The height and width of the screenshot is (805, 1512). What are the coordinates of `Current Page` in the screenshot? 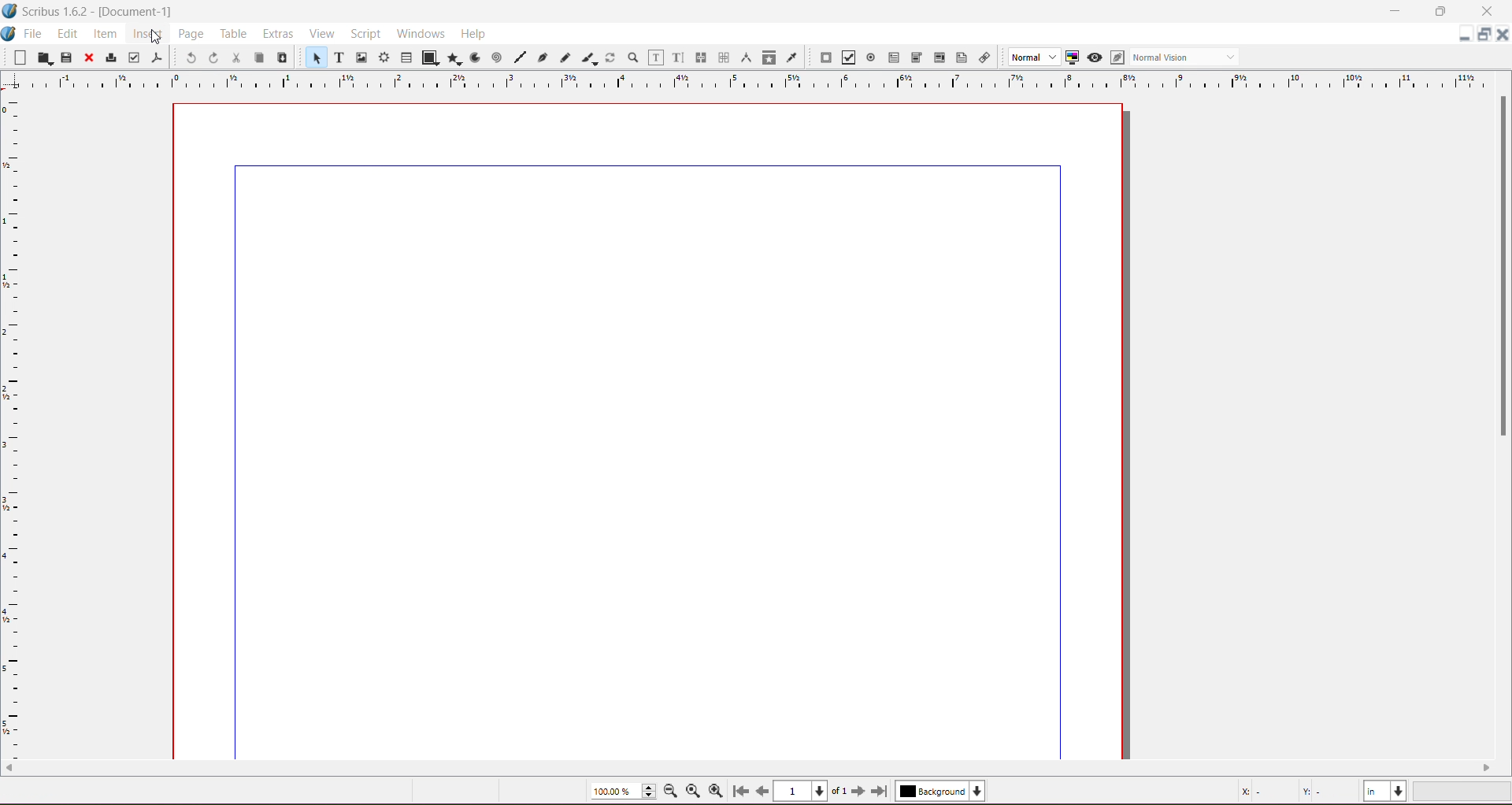 It's located at (647, 428).